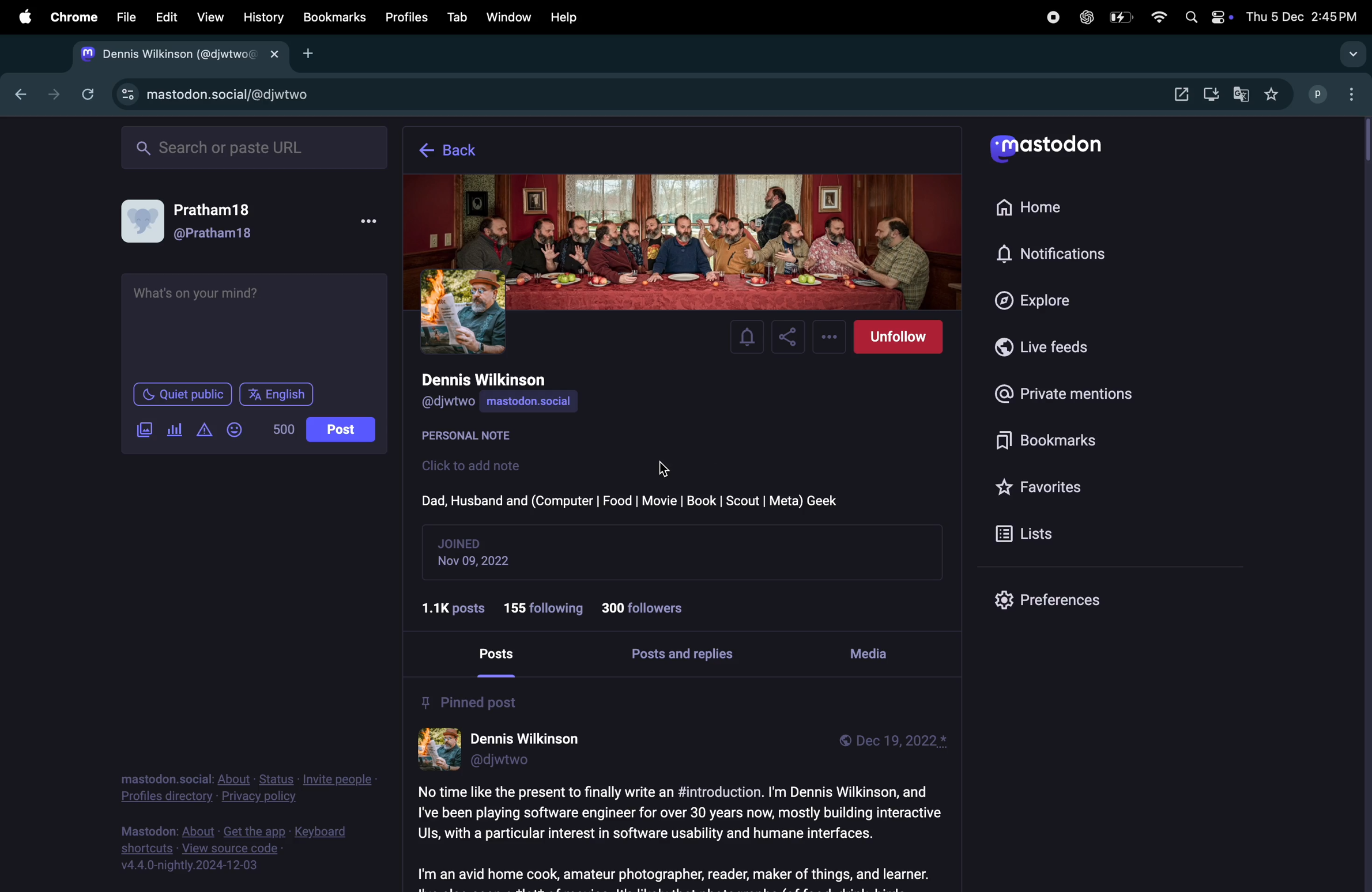 The width and height of the screenshot is (1372, 892). What do you see at coordinates (75, 16) in the screenshot?
I see `chrome` at bounding box center [75, 16].